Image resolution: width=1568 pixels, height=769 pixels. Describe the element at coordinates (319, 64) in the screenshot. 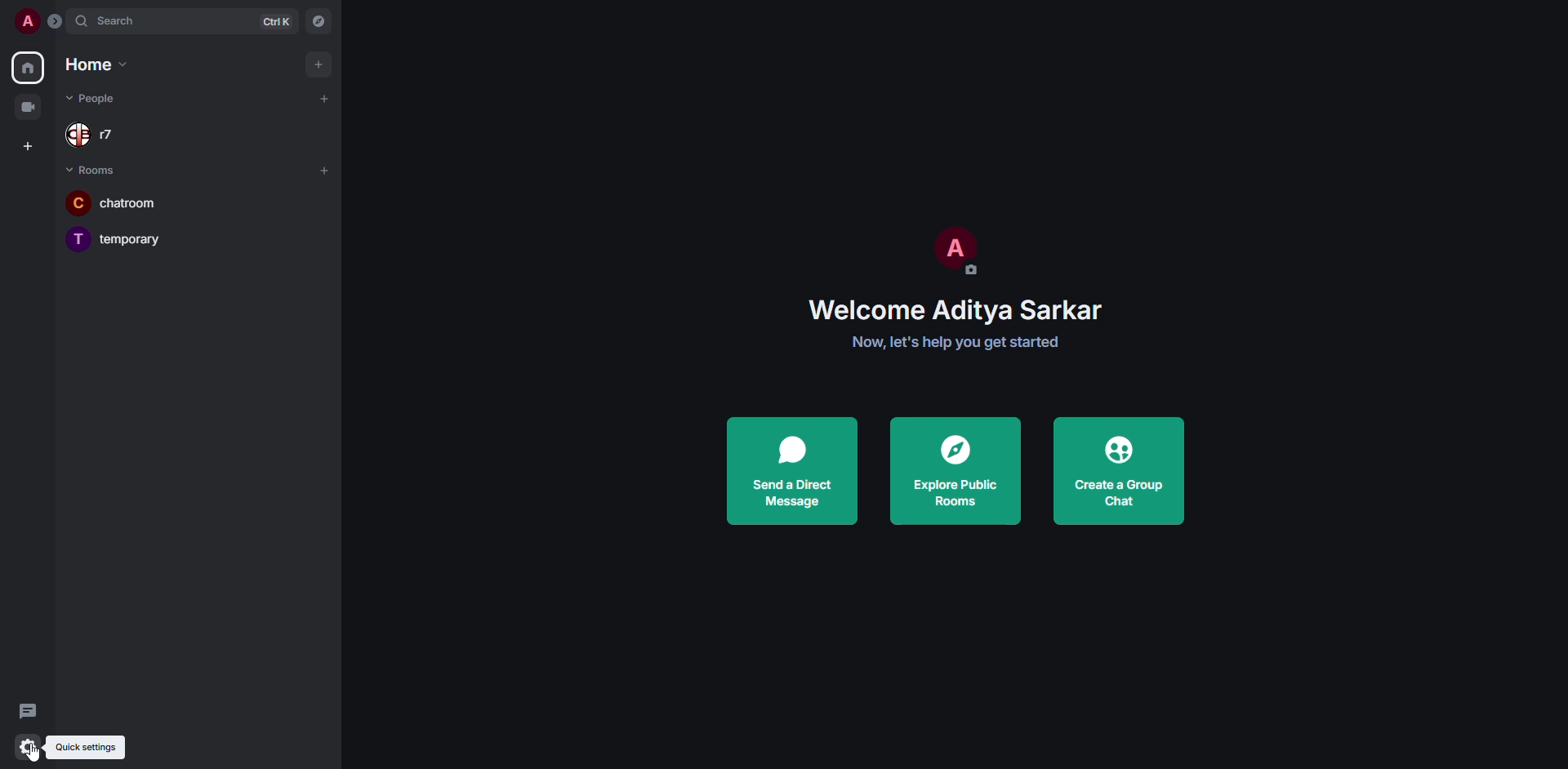

I see `add` at that location.